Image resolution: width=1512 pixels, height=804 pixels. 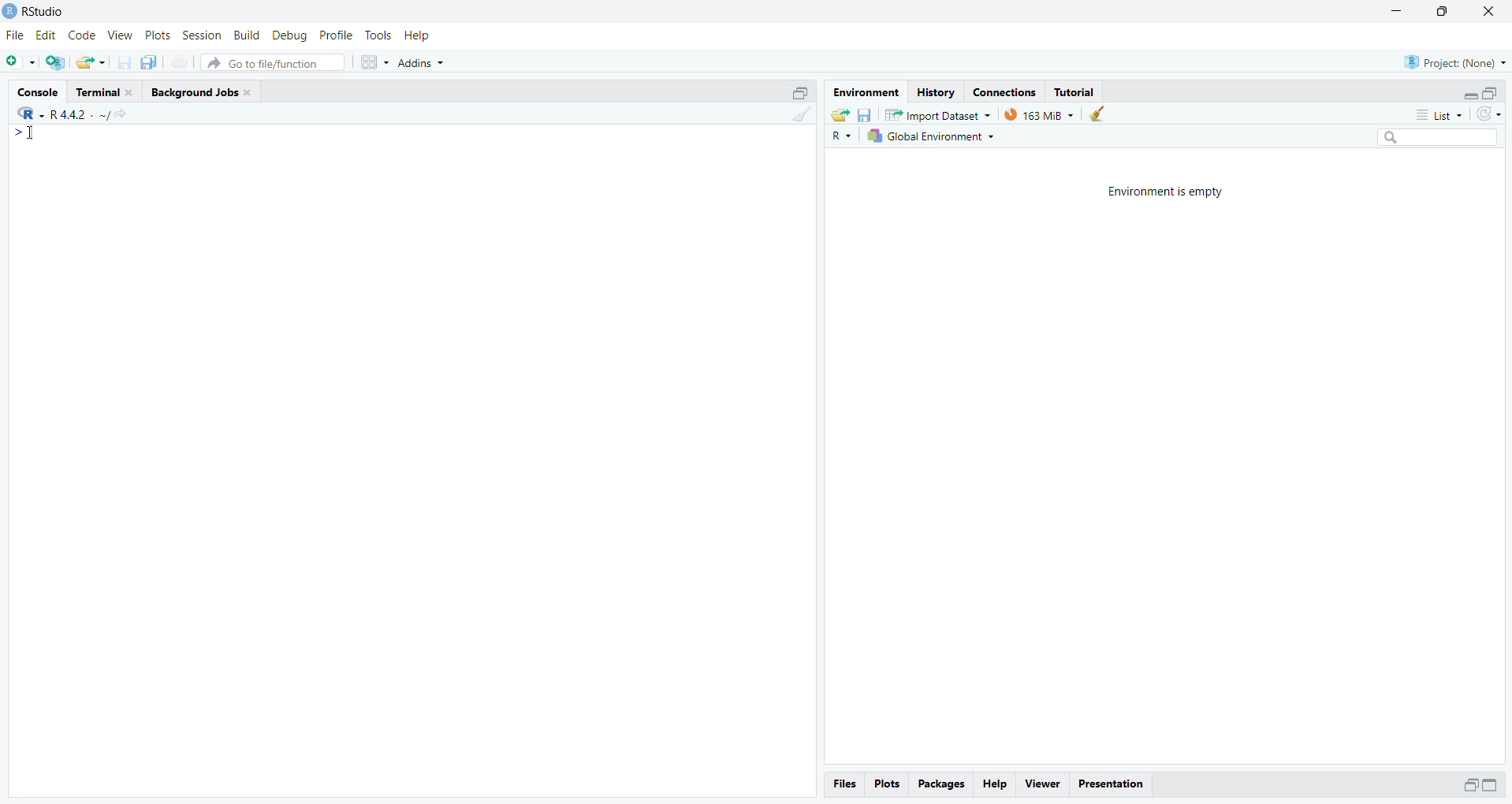 I want to click on files, so click(x=846, y=785).